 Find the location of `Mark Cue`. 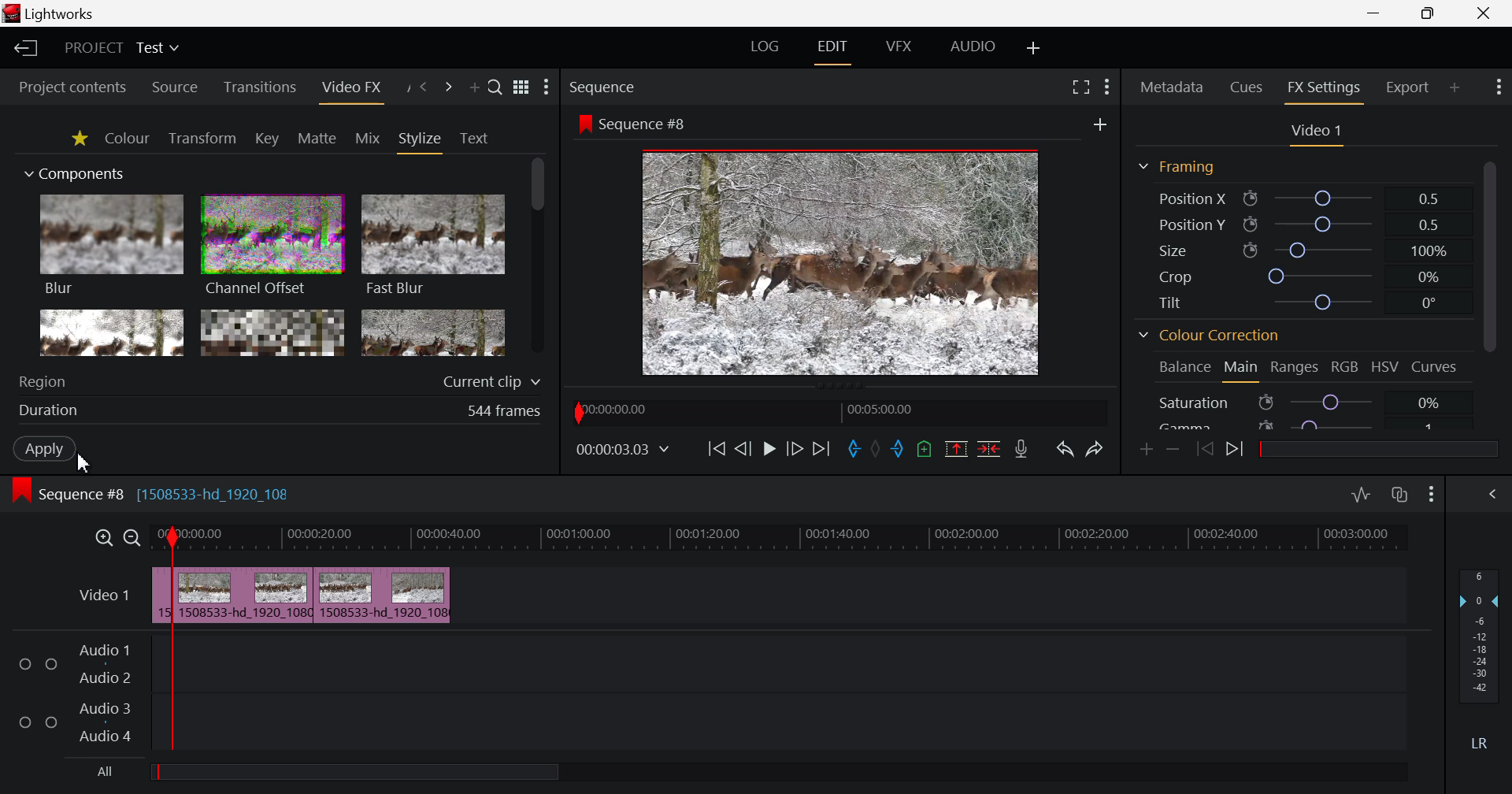

Mark Cue is located at coordinates (925, 448).